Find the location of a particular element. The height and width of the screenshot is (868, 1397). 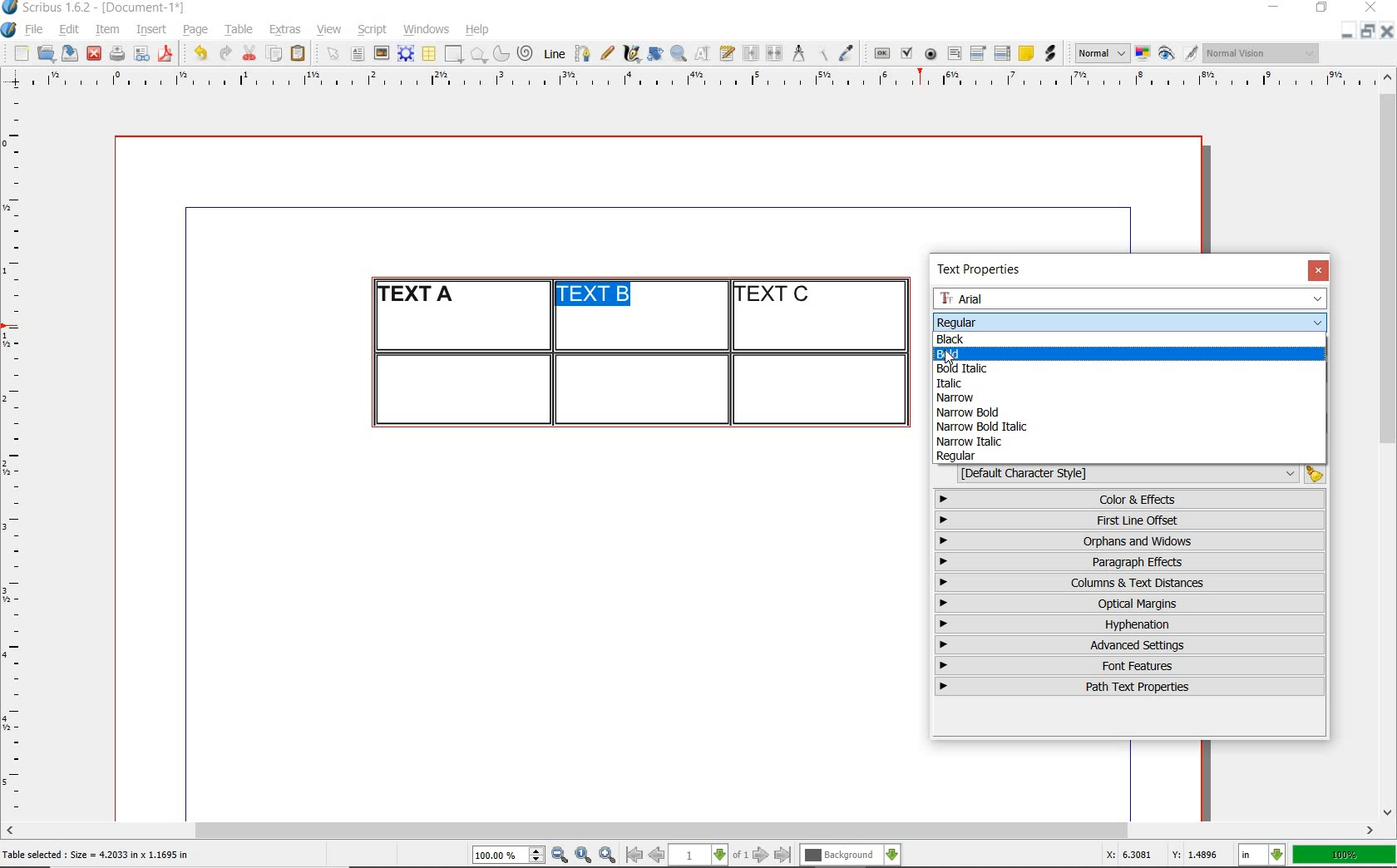

go to next page is located at coordinates (761, 856).